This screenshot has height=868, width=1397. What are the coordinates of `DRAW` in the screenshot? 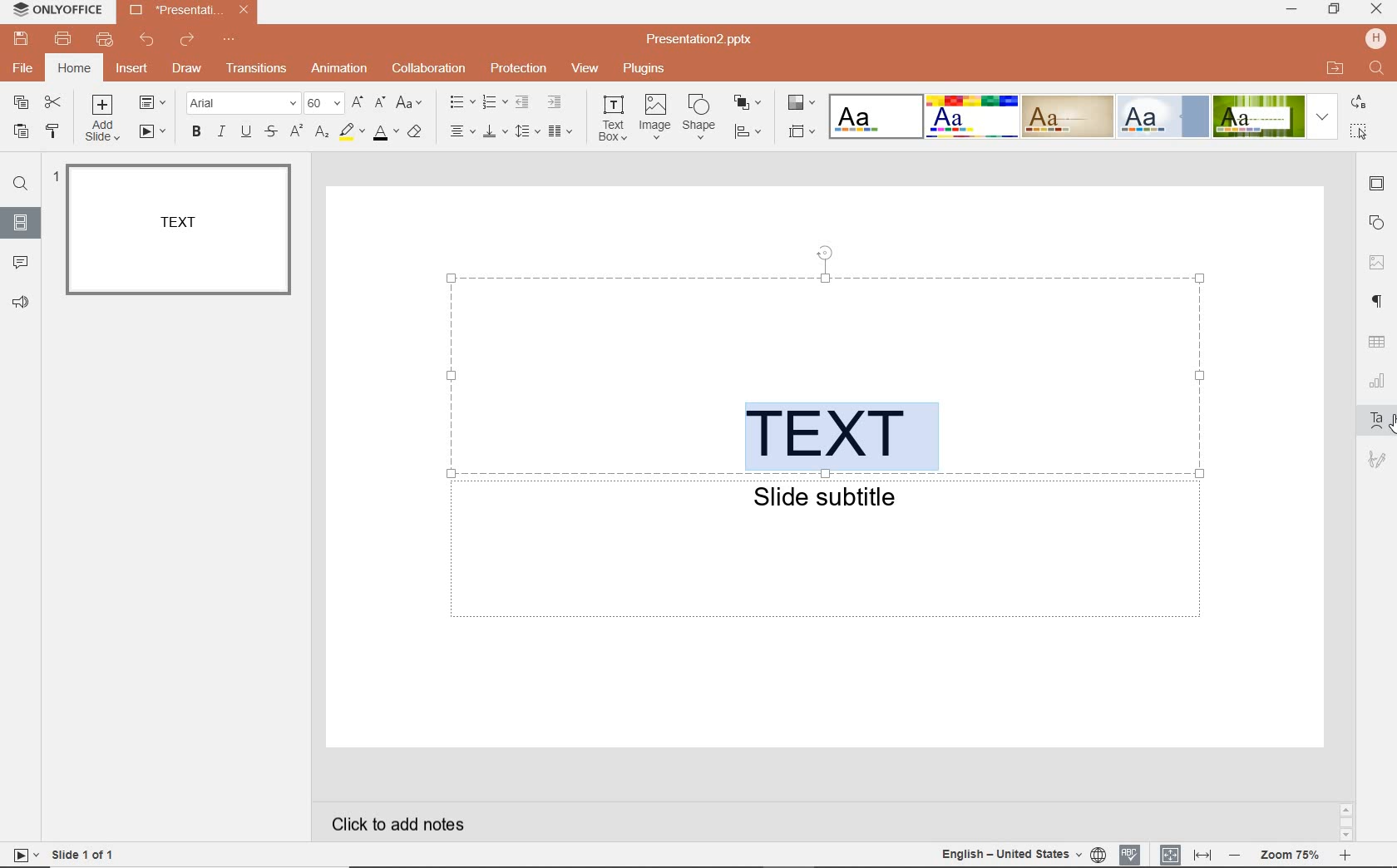 It's located at (184, 70).